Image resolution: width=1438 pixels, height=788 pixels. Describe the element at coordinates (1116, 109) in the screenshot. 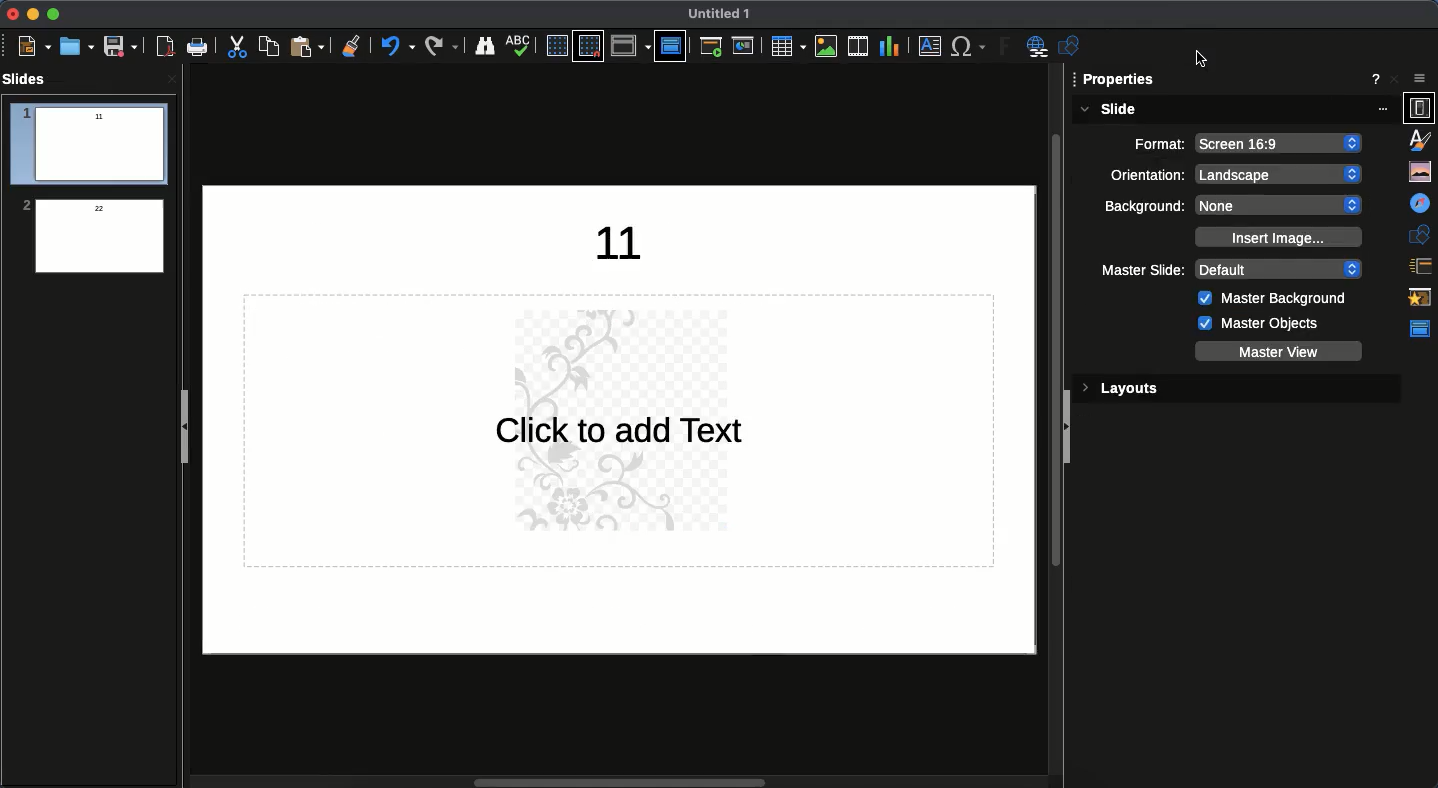

I see `Slide` at that location.